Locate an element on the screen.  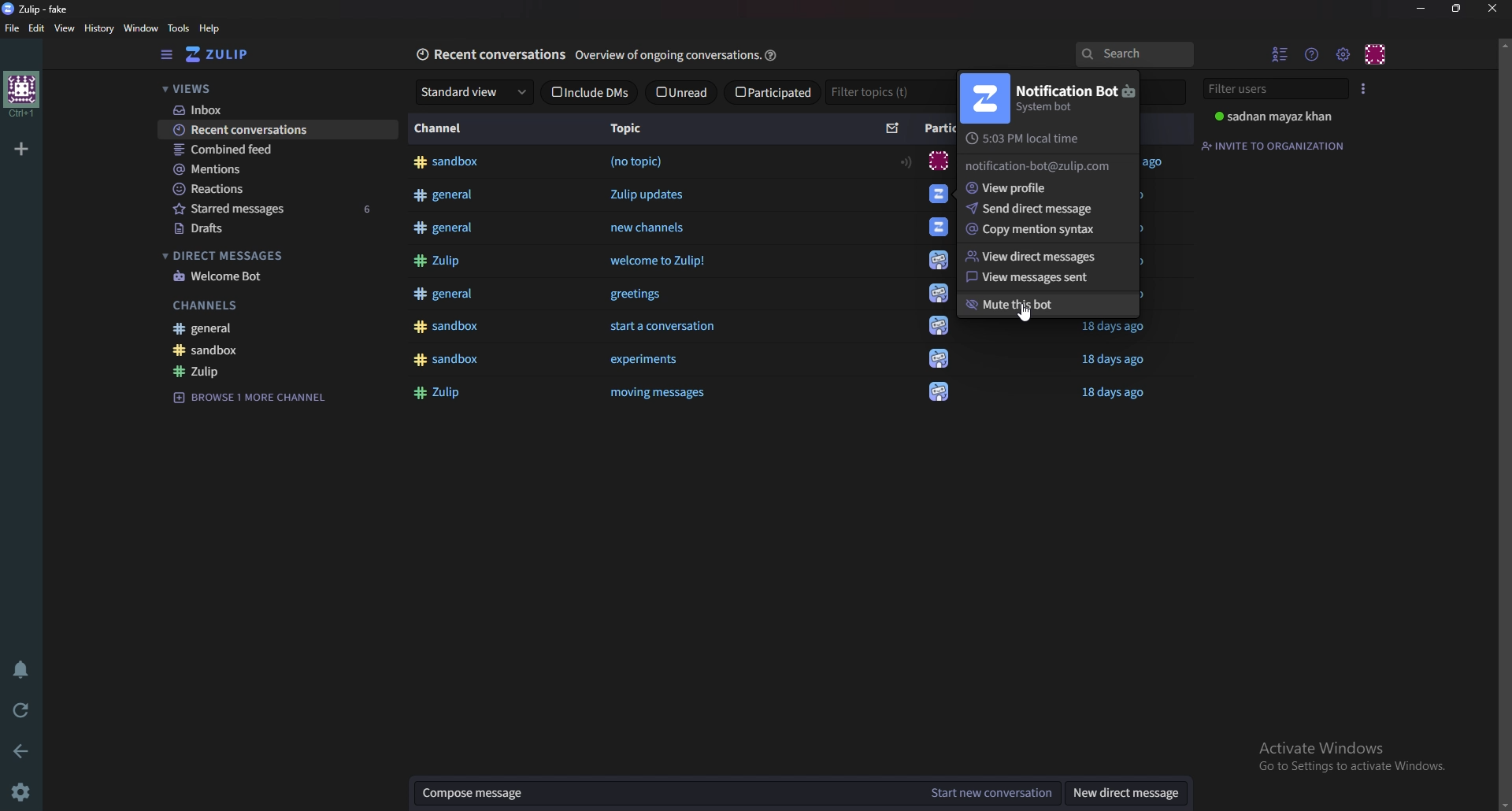
Personal menu is located at coordinates (1374, 55).